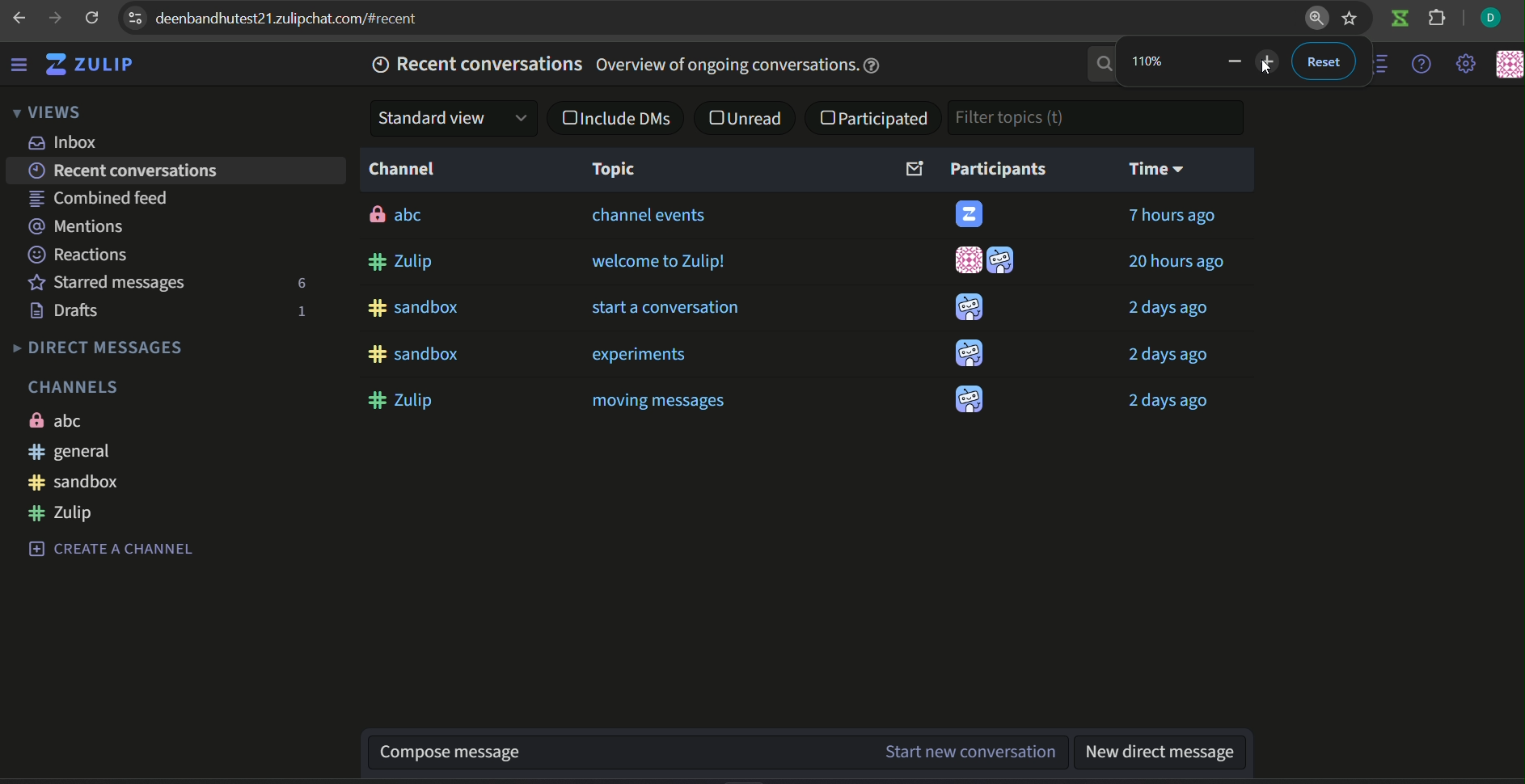 The width and height of the screenshot is (1525, 784). What do you see at coordinates (90, 65) in the screenshot?
I see `ZULIP logo` at bounding box center [90, 65].